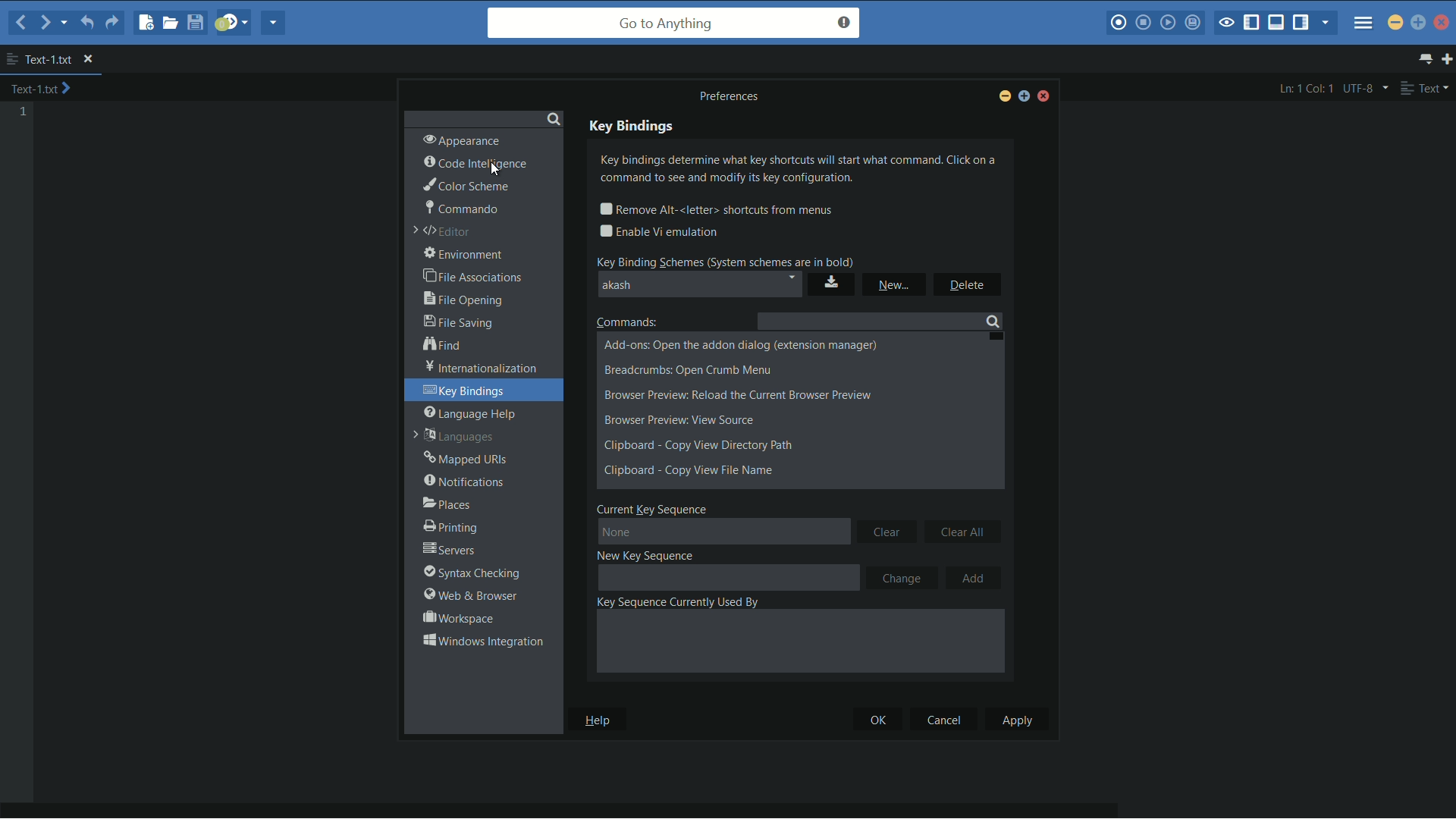 The width and height of the screenshot is (1456, 819). I want to click on editor, so click(444, 232).